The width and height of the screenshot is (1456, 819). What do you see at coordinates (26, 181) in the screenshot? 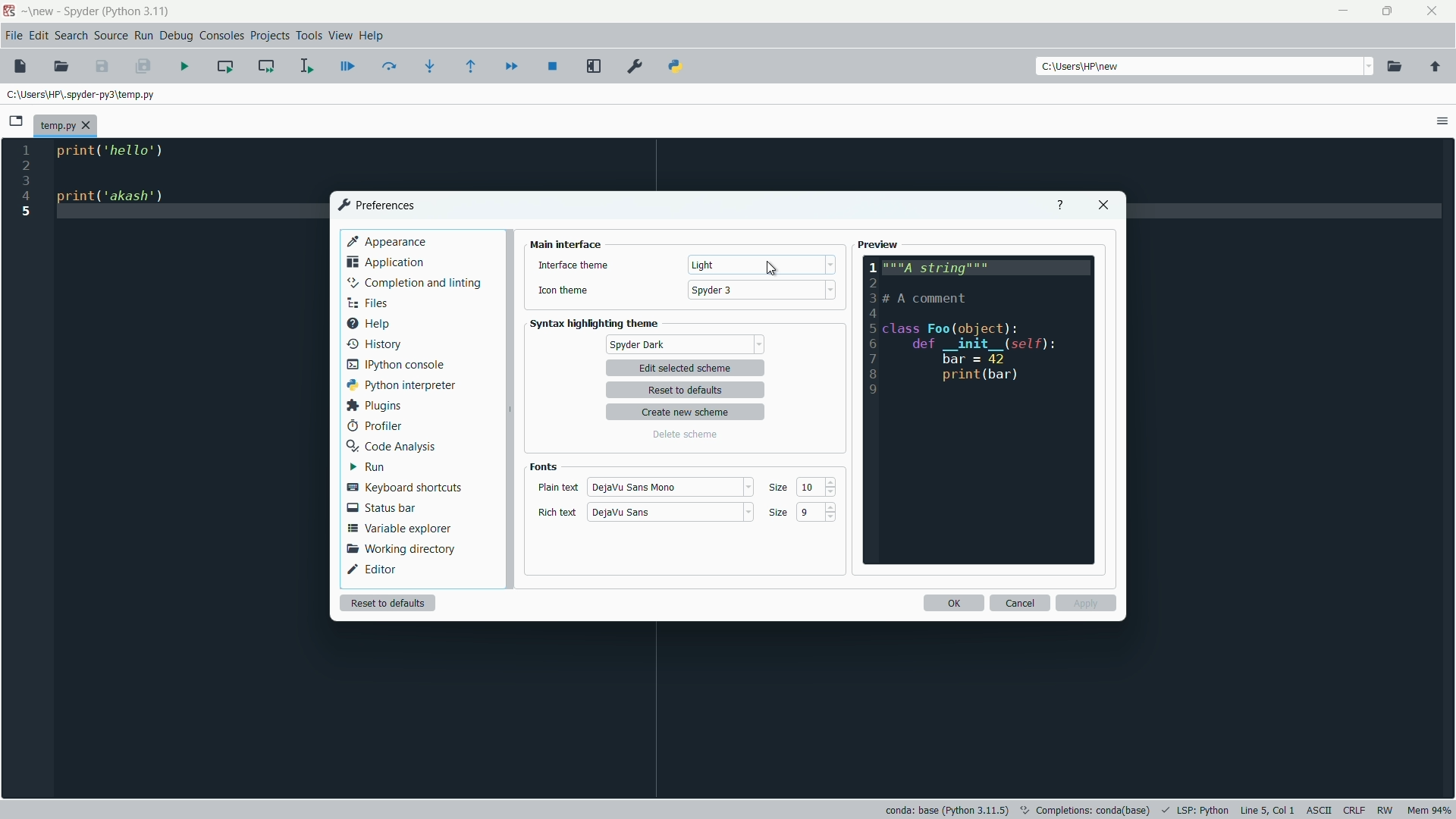
I see `line numbers` at bounding box center [26, 181].